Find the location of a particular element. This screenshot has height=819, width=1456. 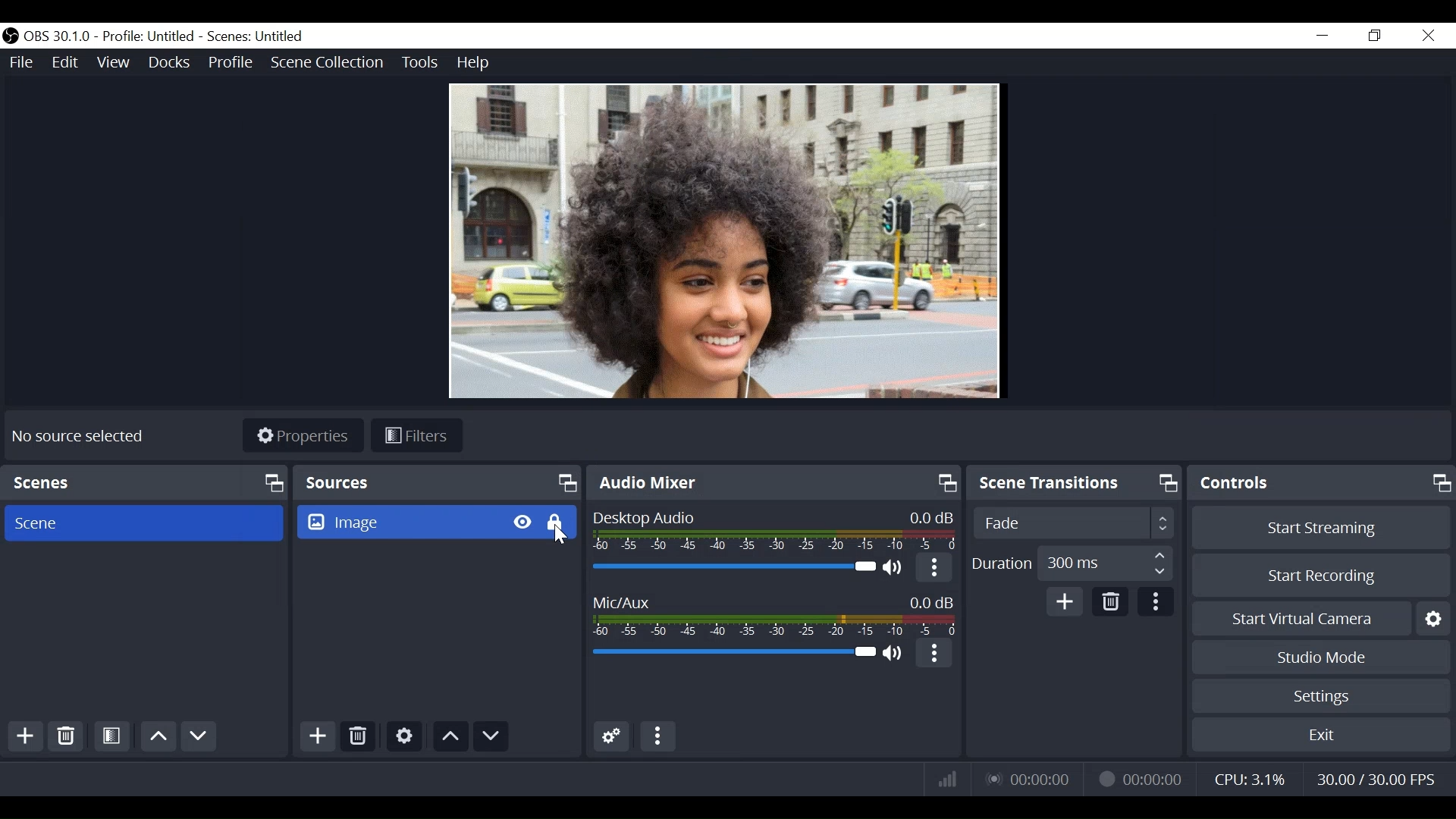

Help is located at coordinates (474, 64).